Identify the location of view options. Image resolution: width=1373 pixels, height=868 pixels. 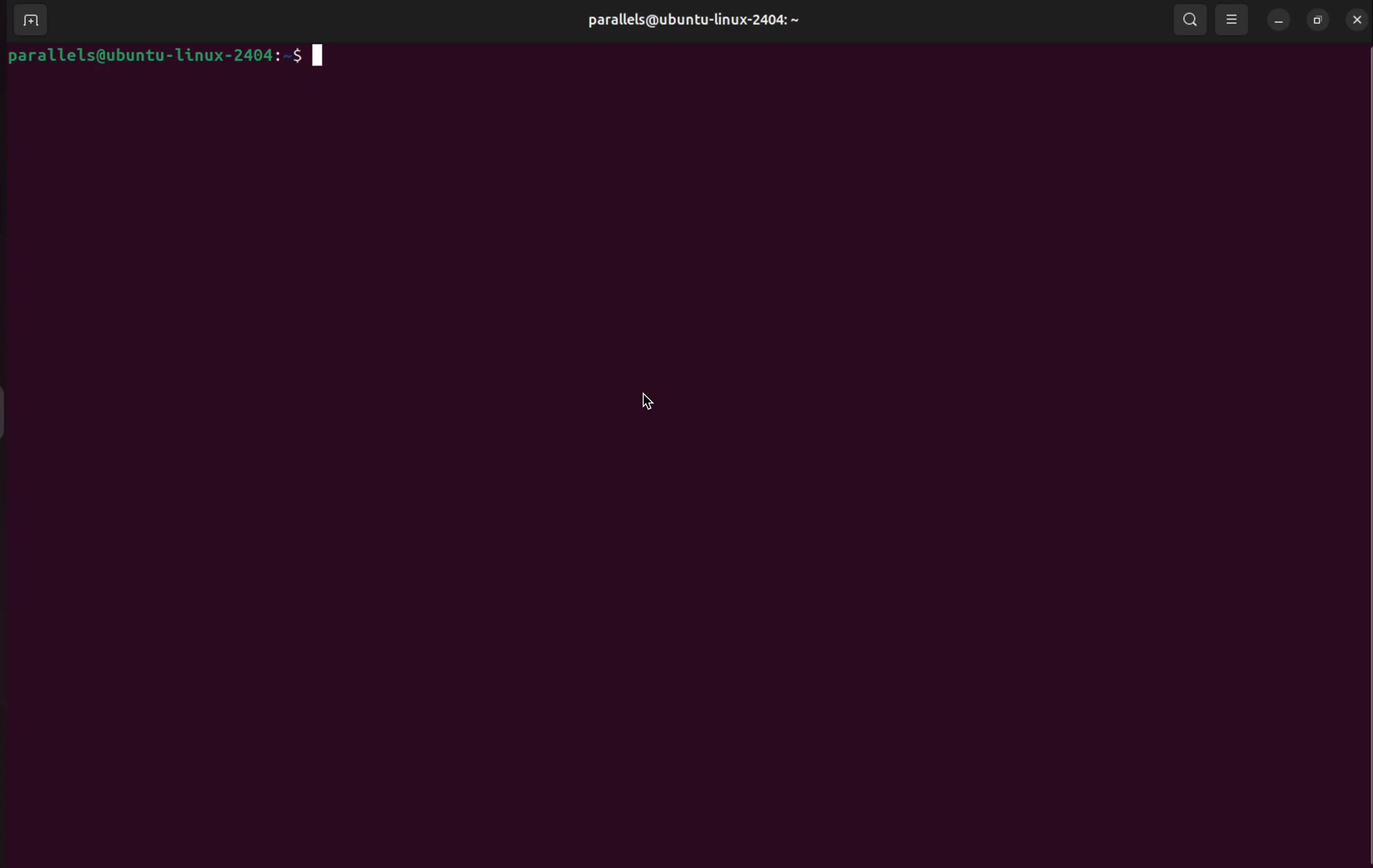
(1231, 19).